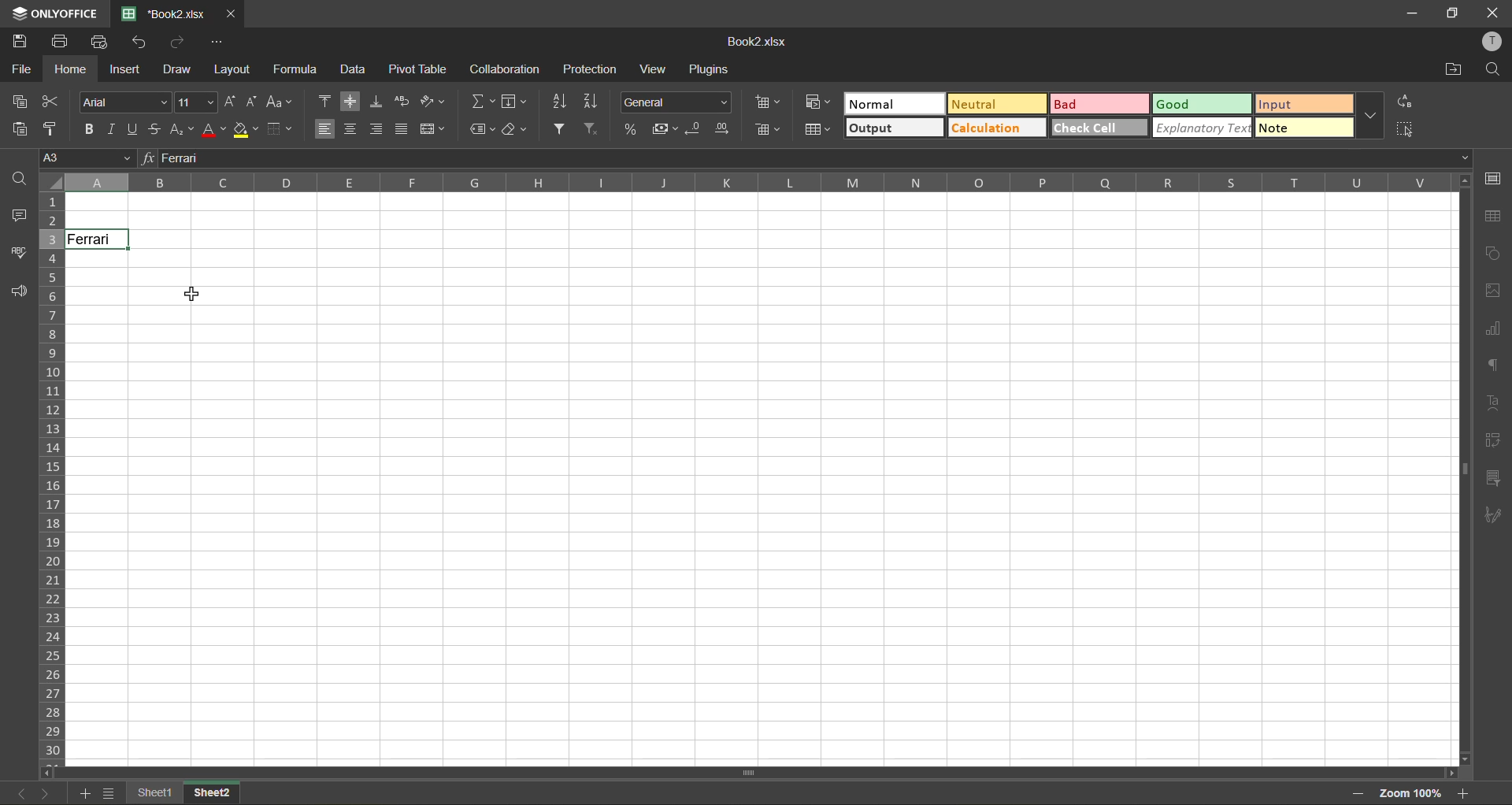 The height and width of the screenshot is (805, 1512). Describe the element at coordinates (232, 71) in the screenshot. I see `layout` at that location.